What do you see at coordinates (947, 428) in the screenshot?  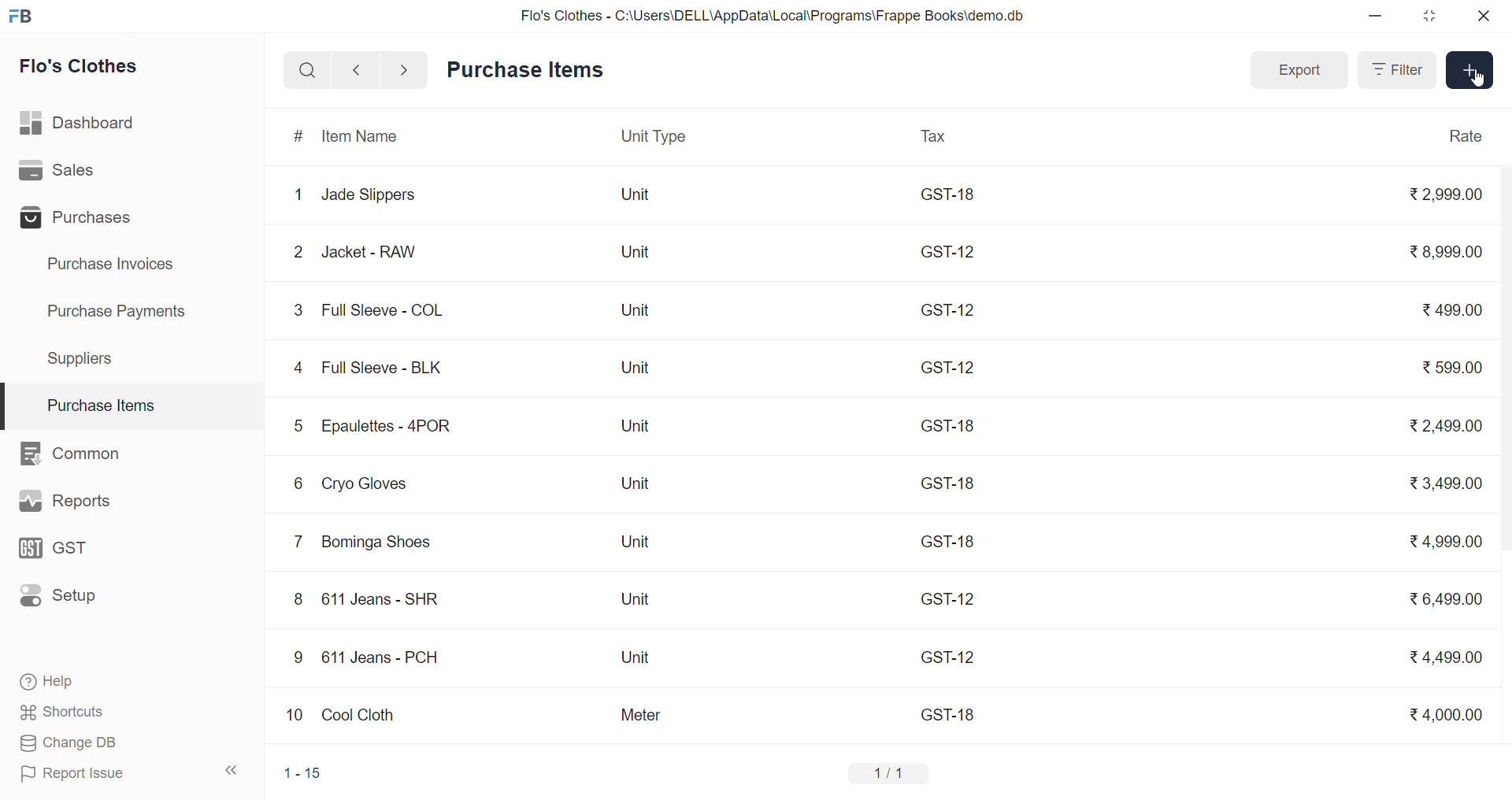 I see `GST-18` at bounding box center [947, 428].